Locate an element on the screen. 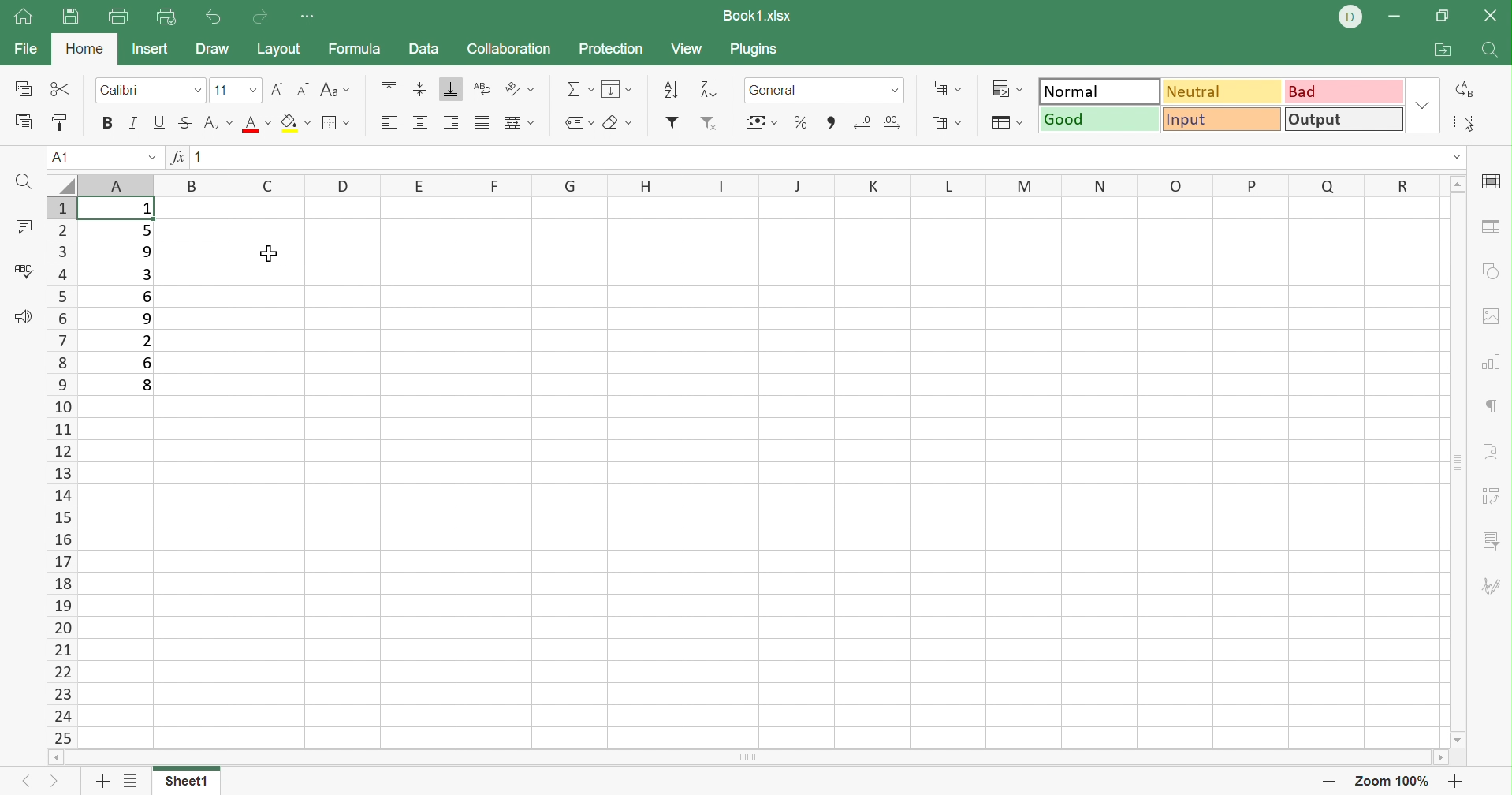 This screenshot has height=795, width=1512. 9 is located at coordinates (140, 319).